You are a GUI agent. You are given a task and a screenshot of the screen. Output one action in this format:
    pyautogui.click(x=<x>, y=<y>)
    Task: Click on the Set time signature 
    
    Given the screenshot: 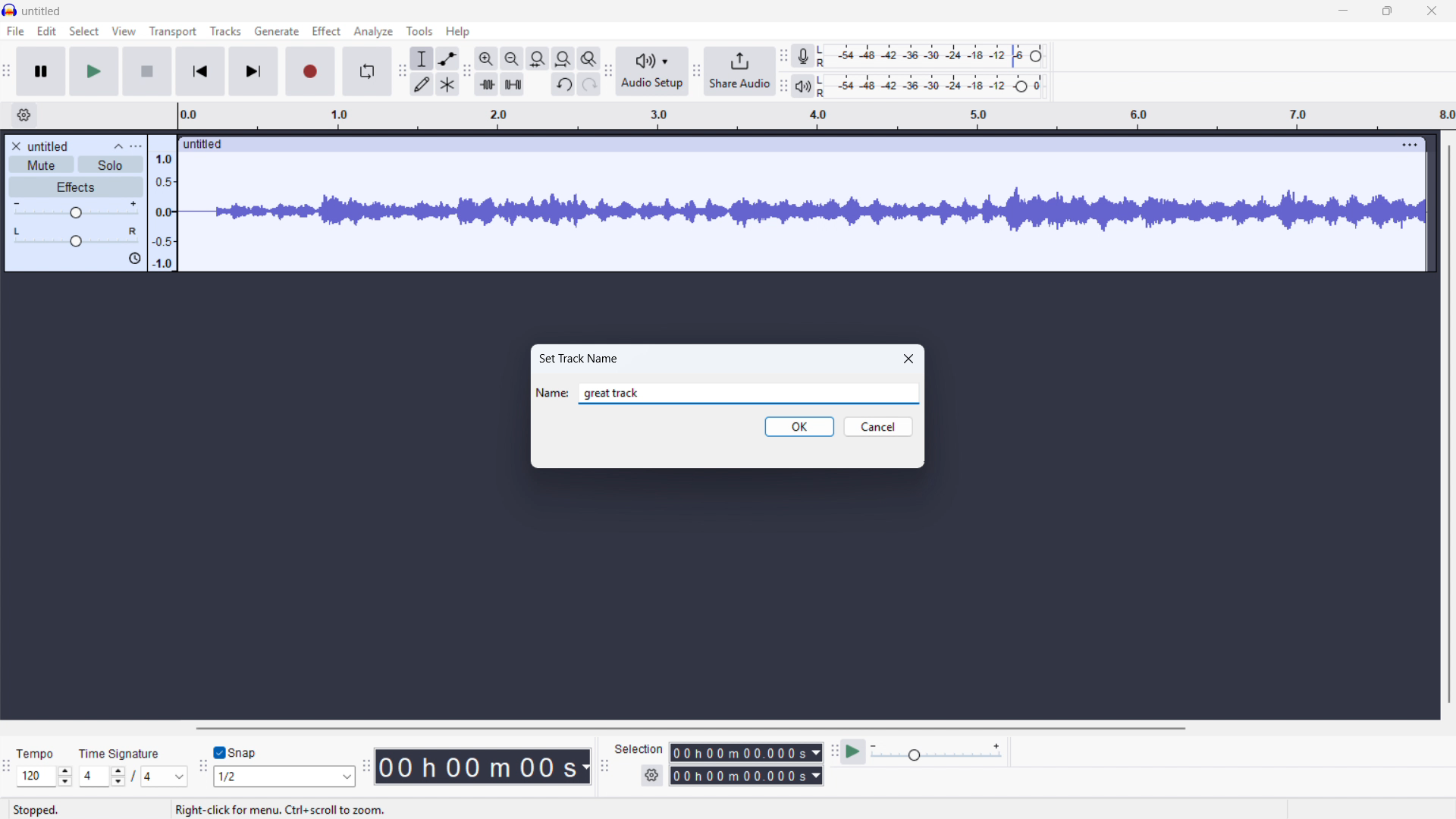 What is the action you would take?
    pyautogui.click(x=134, y=777)
    